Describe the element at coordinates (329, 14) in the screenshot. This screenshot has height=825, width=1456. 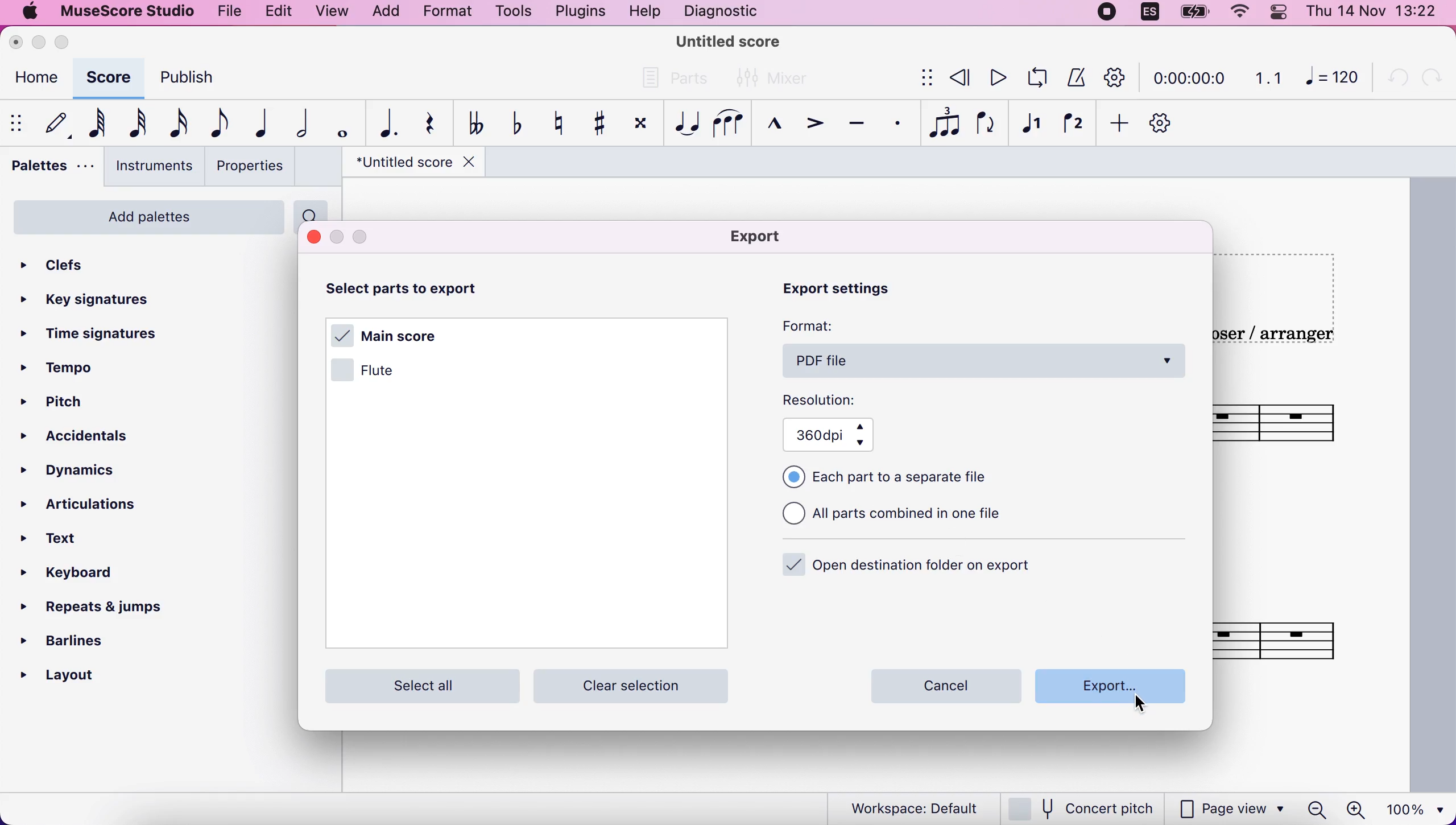
I see `view` at that location.